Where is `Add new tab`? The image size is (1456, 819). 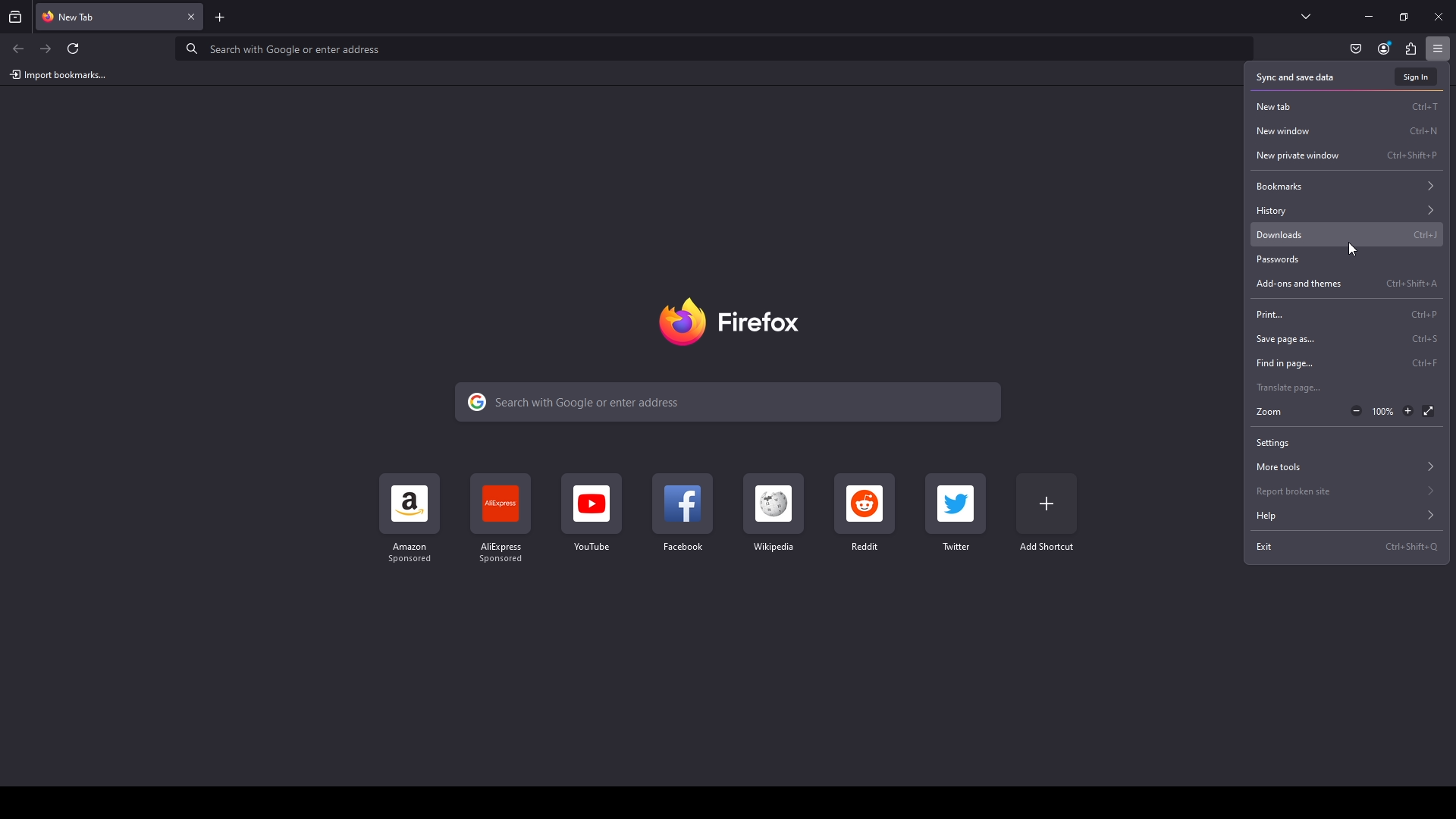
Add new tab is located at coordinates (221, 17).